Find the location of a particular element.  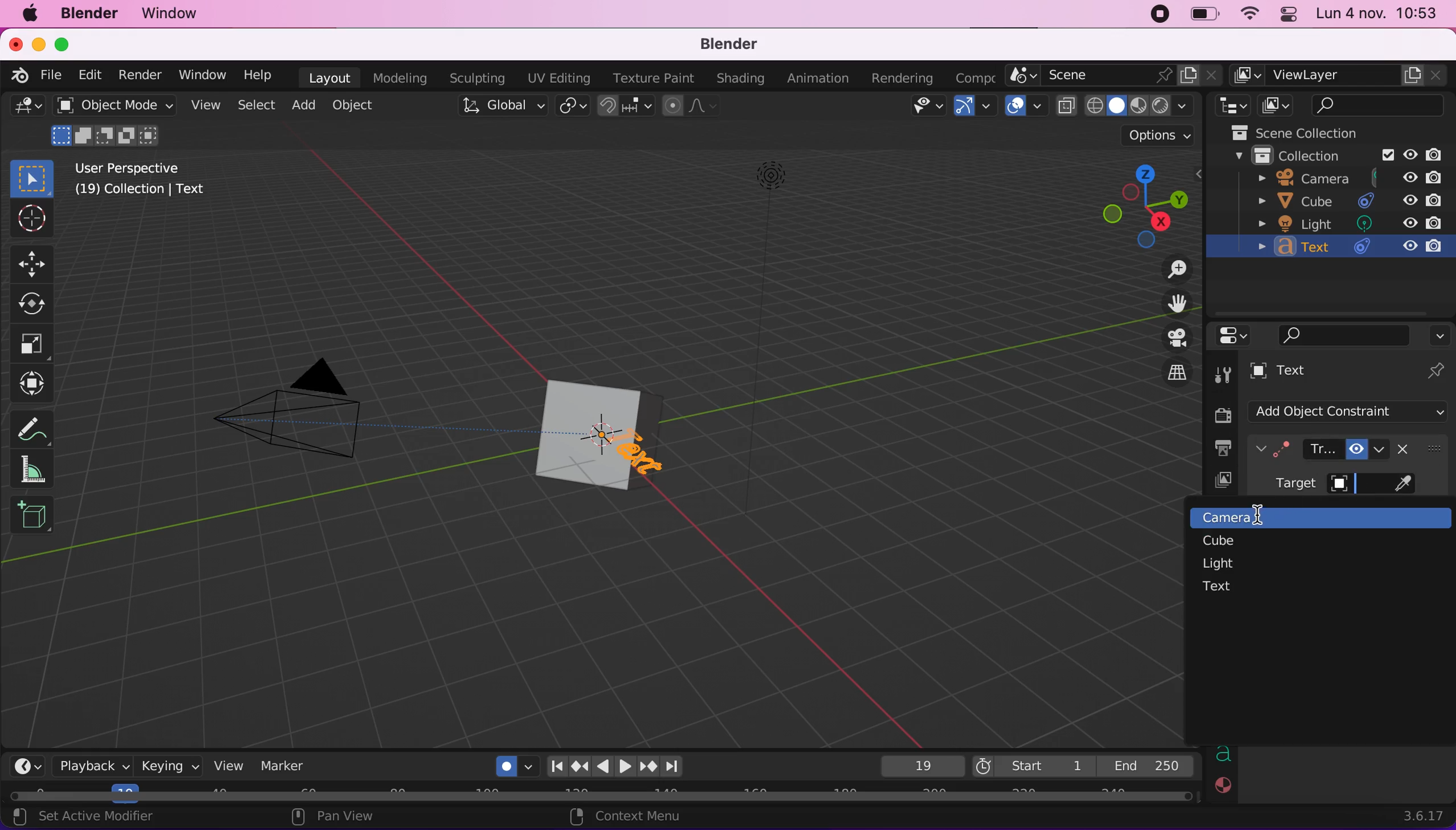

editor type is located at coordinates (1231, 106).